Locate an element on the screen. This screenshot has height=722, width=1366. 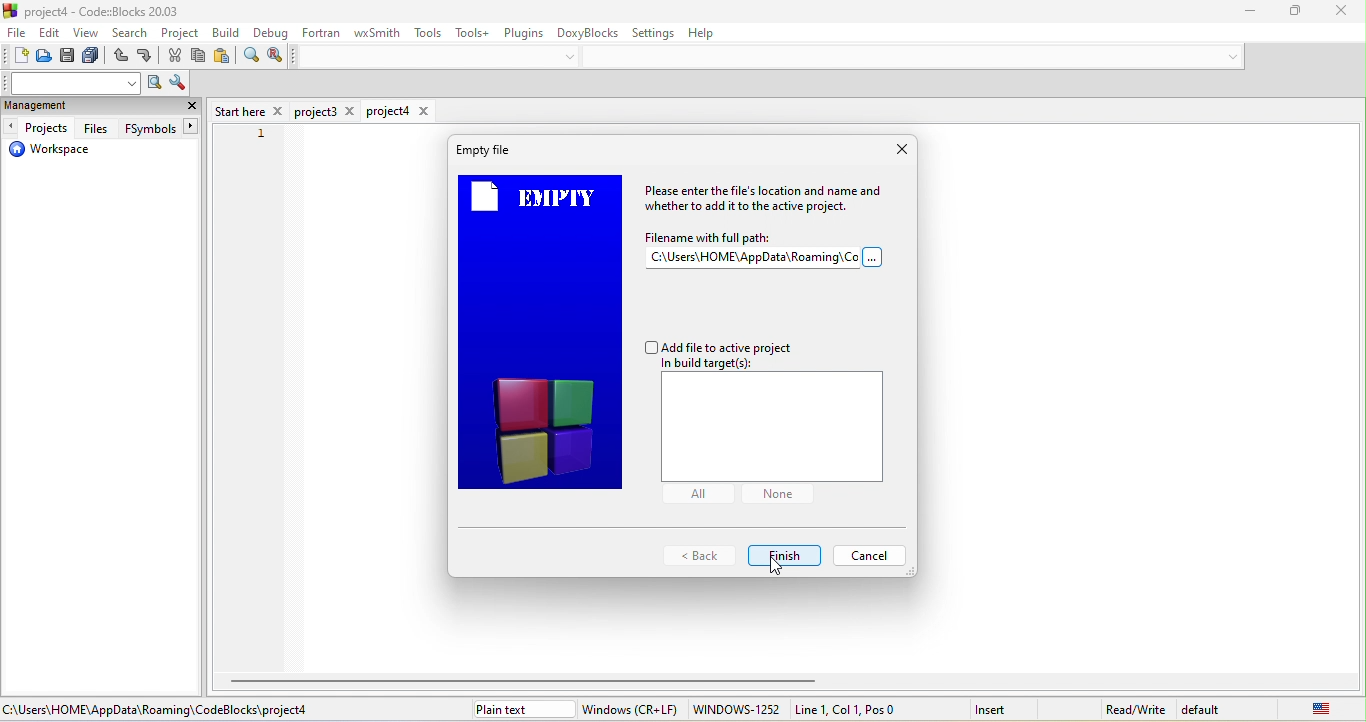
save is located at coordinates (70, 58).